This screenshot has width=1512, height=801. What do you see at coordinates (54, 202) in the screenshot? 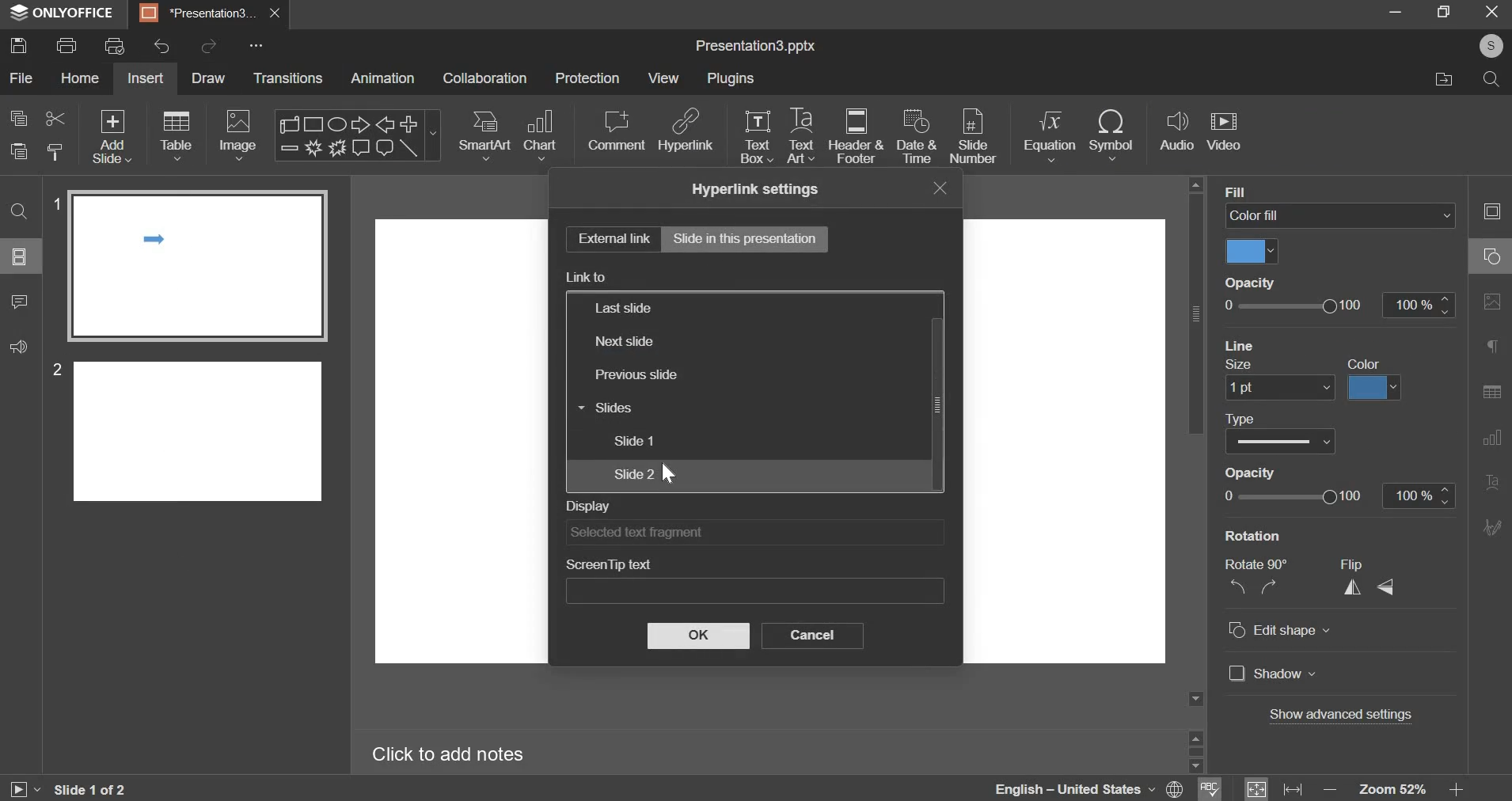
I see `slide number` at bounding box center [54, 202].